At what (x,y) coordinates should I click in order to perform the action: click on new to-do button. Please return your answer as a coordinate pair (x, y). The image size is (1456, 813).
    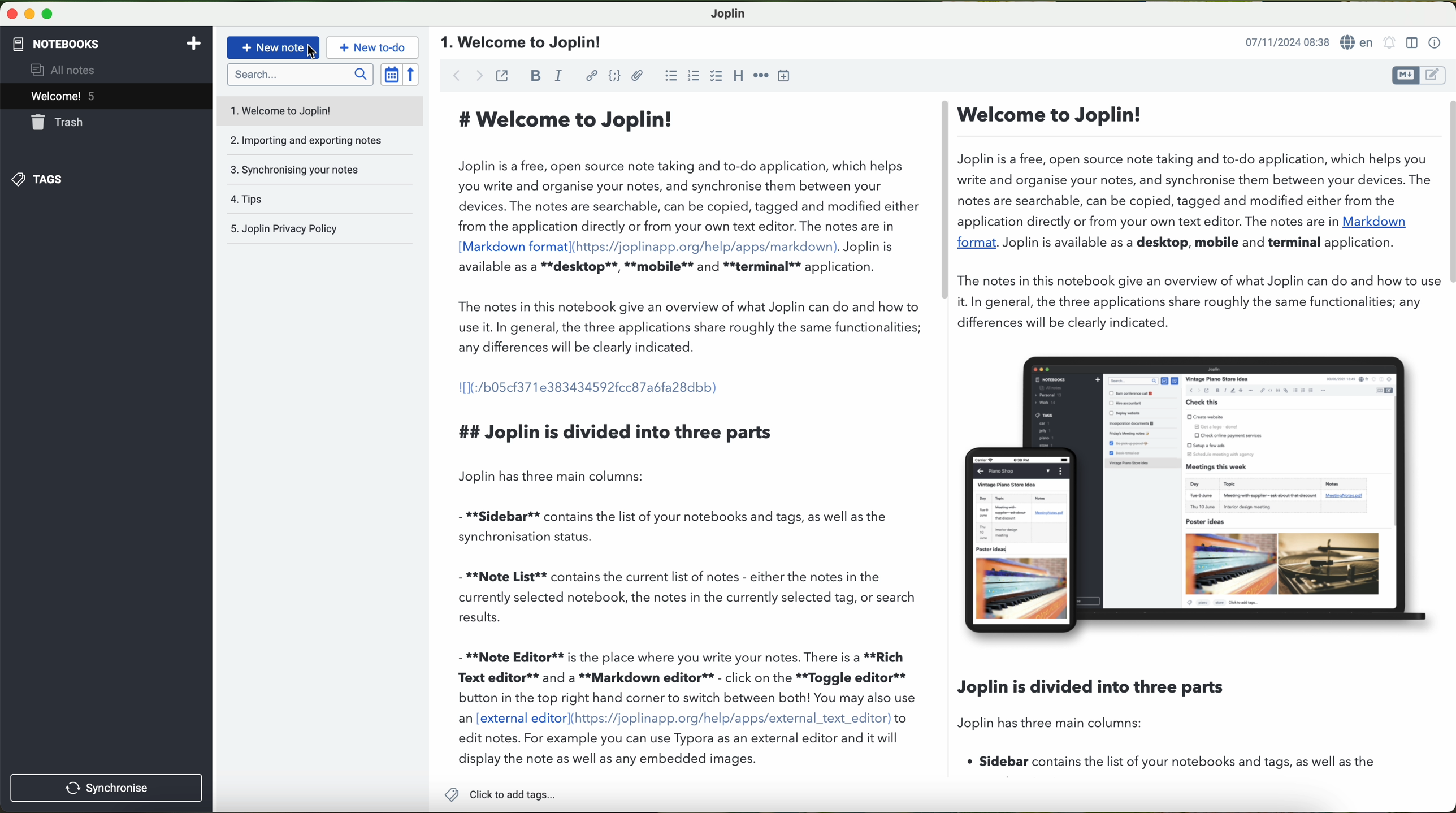
    Looking at the image, I should click on (372, 47).